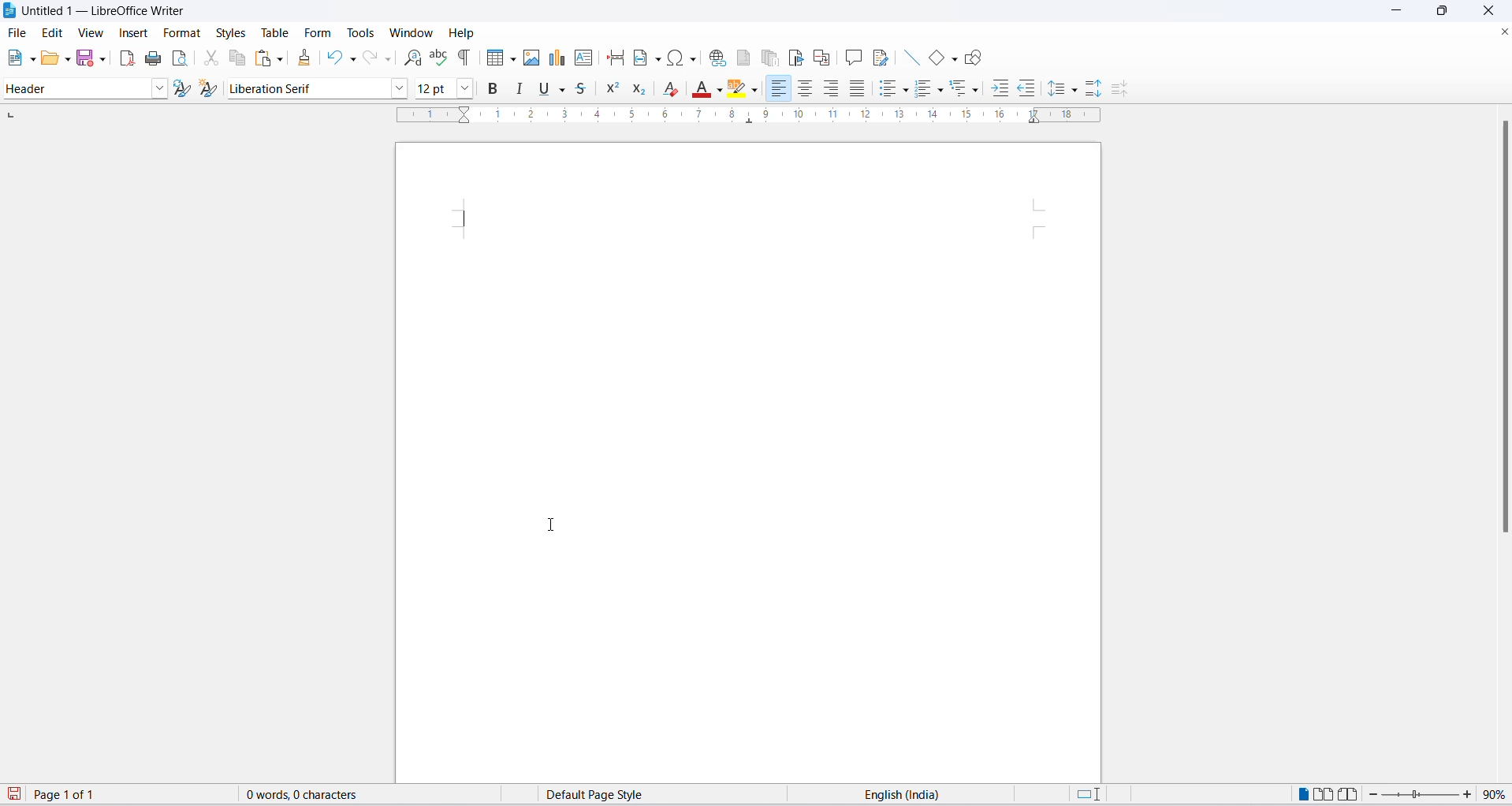 The image size is (1512, 806). Describe the element at coordinates (306, 58) in the screenshot. I see `clone formatting` at that location.